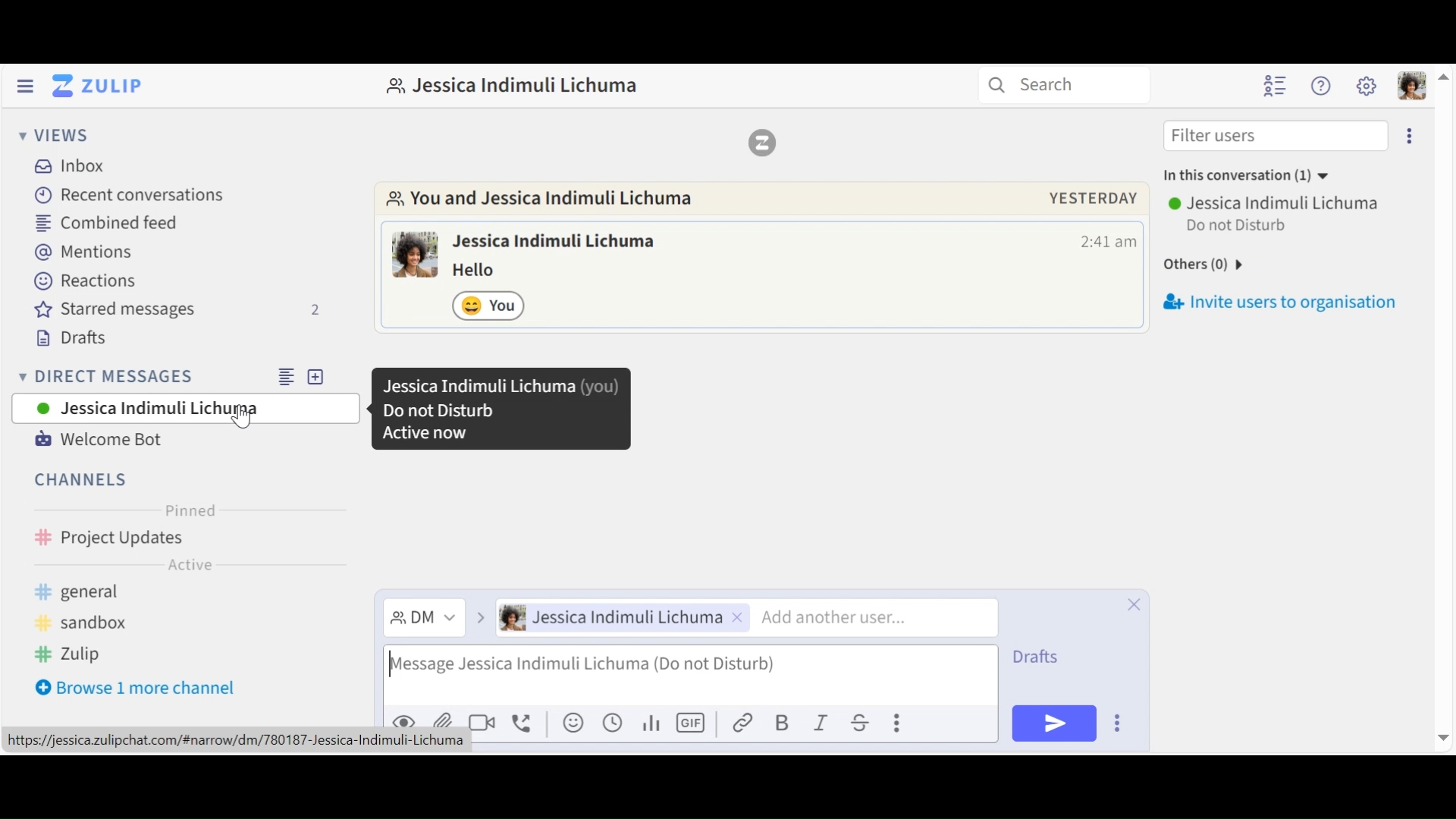  I want to click on Main menu, so click(1367, 86).